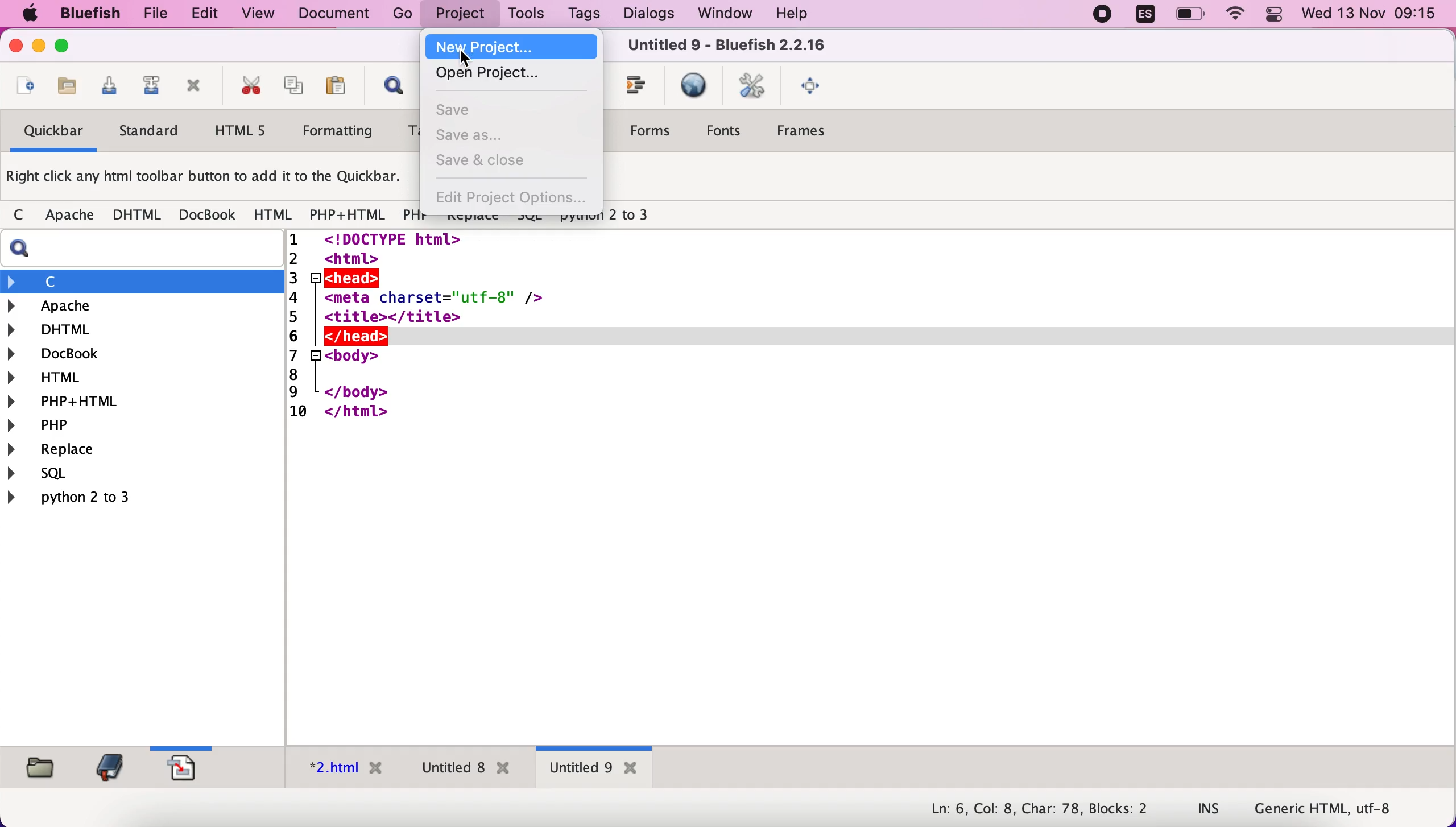  I want to click on close, so click(13, 48).